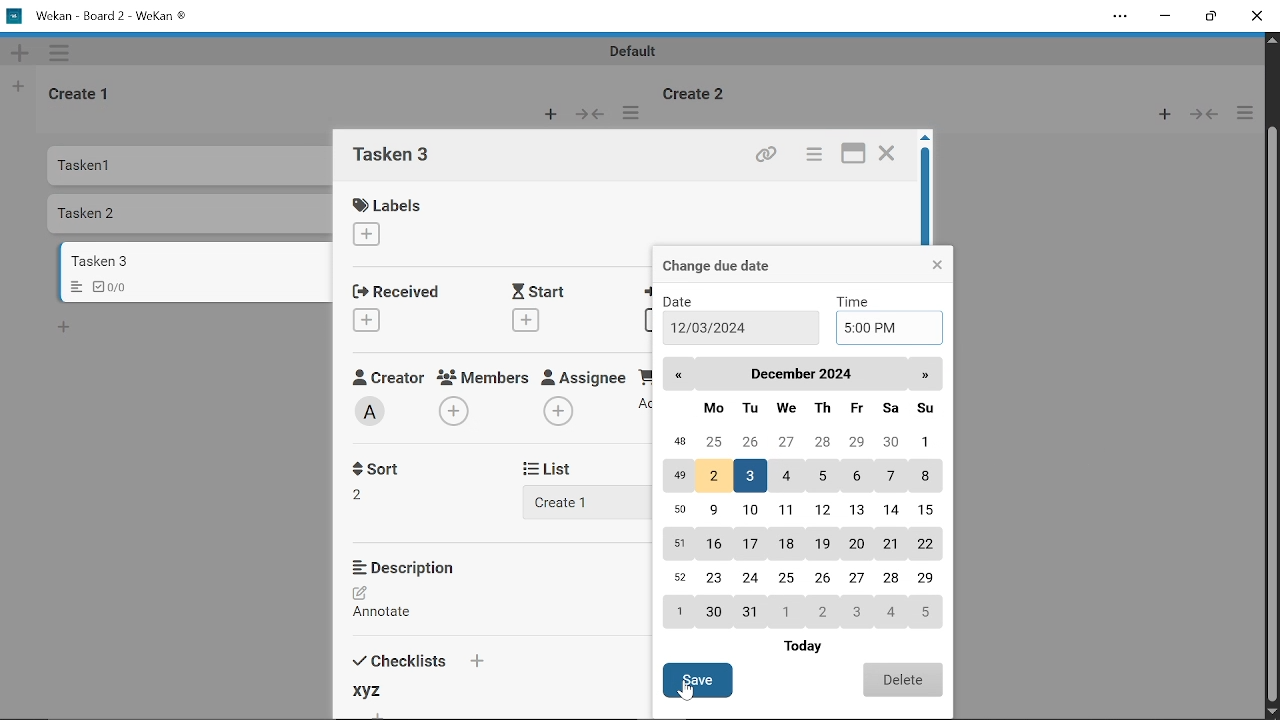  Describe the element at coordinates (738, 264) in the screenshot. I see `Change due date` at that location.